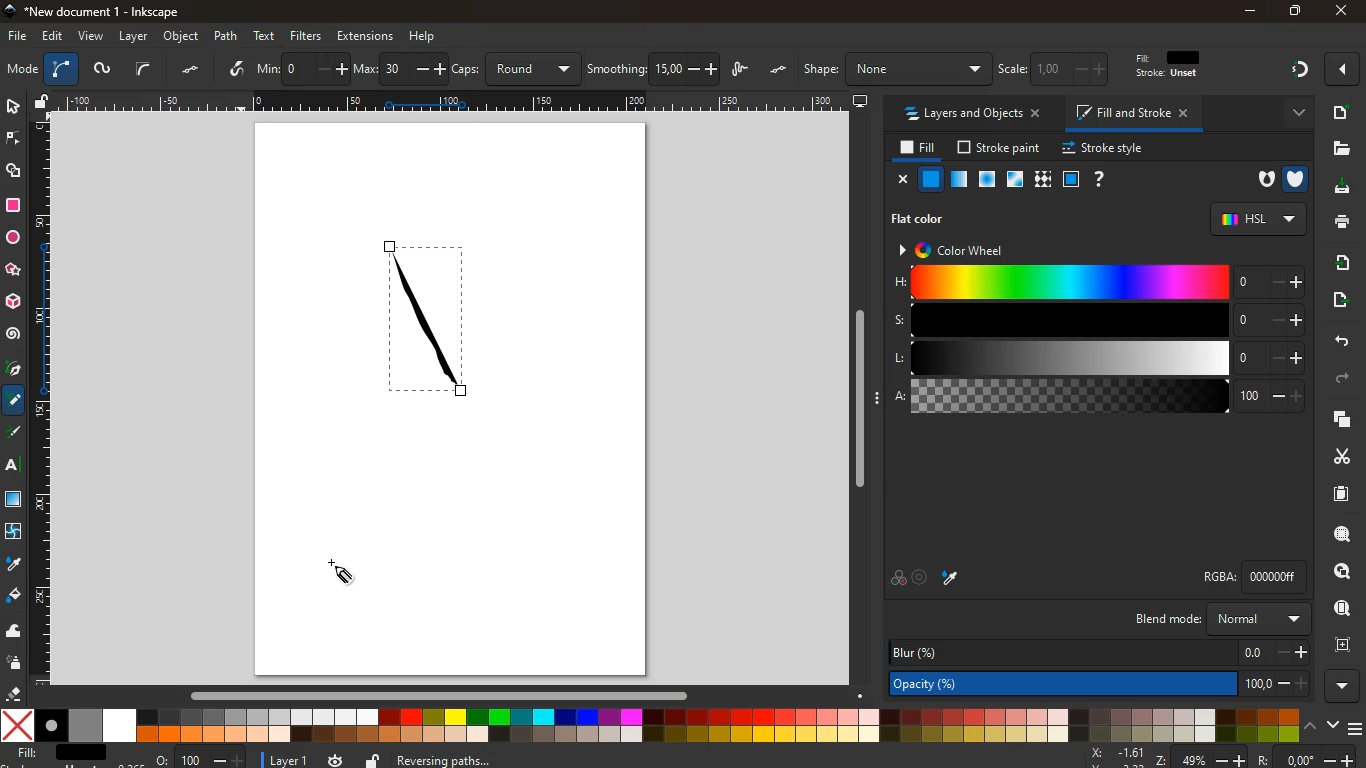  I want to click on zoom, so click(1221, 757).